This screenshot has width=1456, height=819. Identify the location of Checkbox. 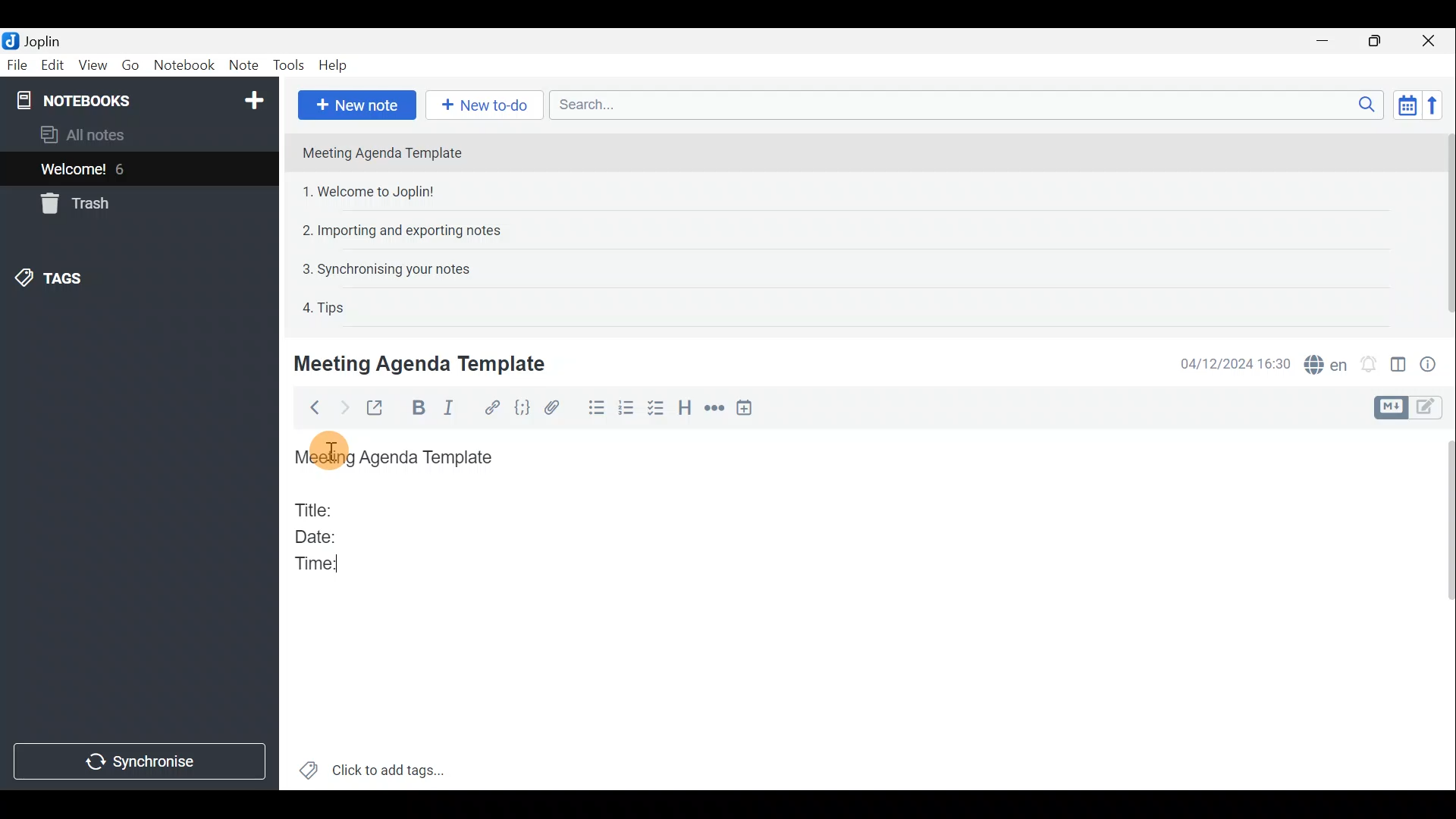
(654, 409).